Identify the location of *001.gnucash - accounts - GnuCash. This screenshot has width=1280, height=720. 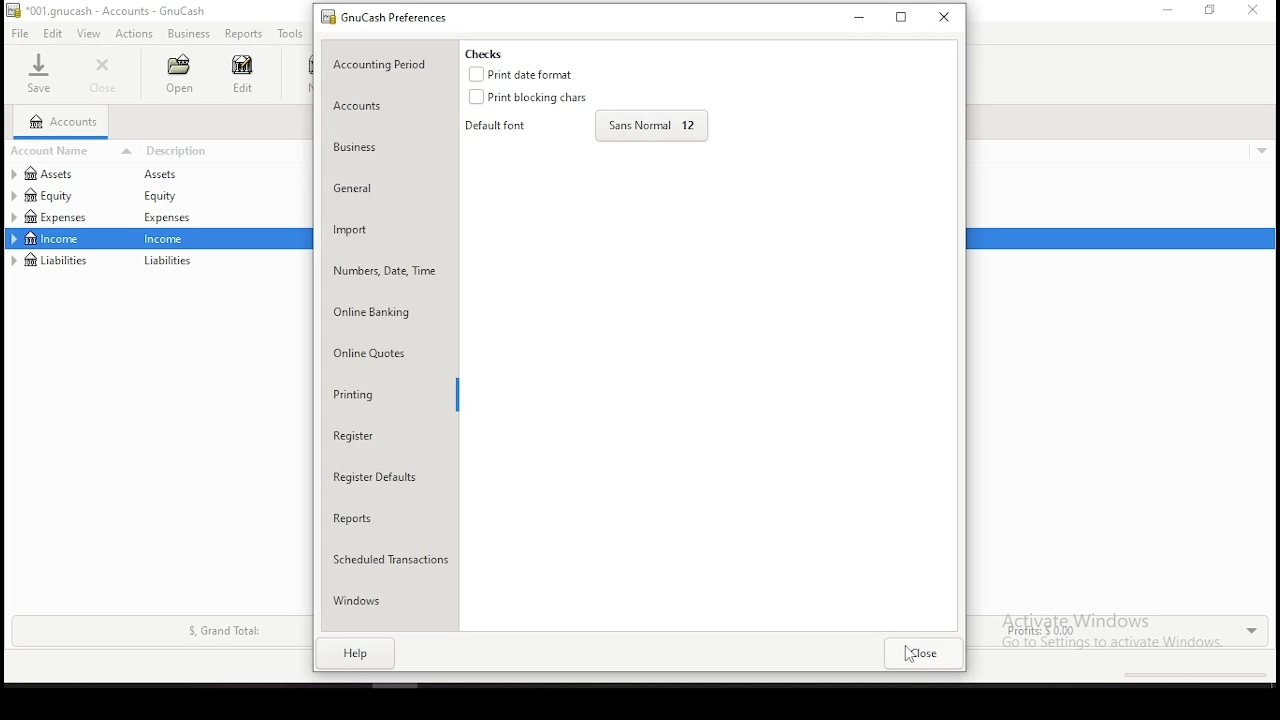
(106, 11).